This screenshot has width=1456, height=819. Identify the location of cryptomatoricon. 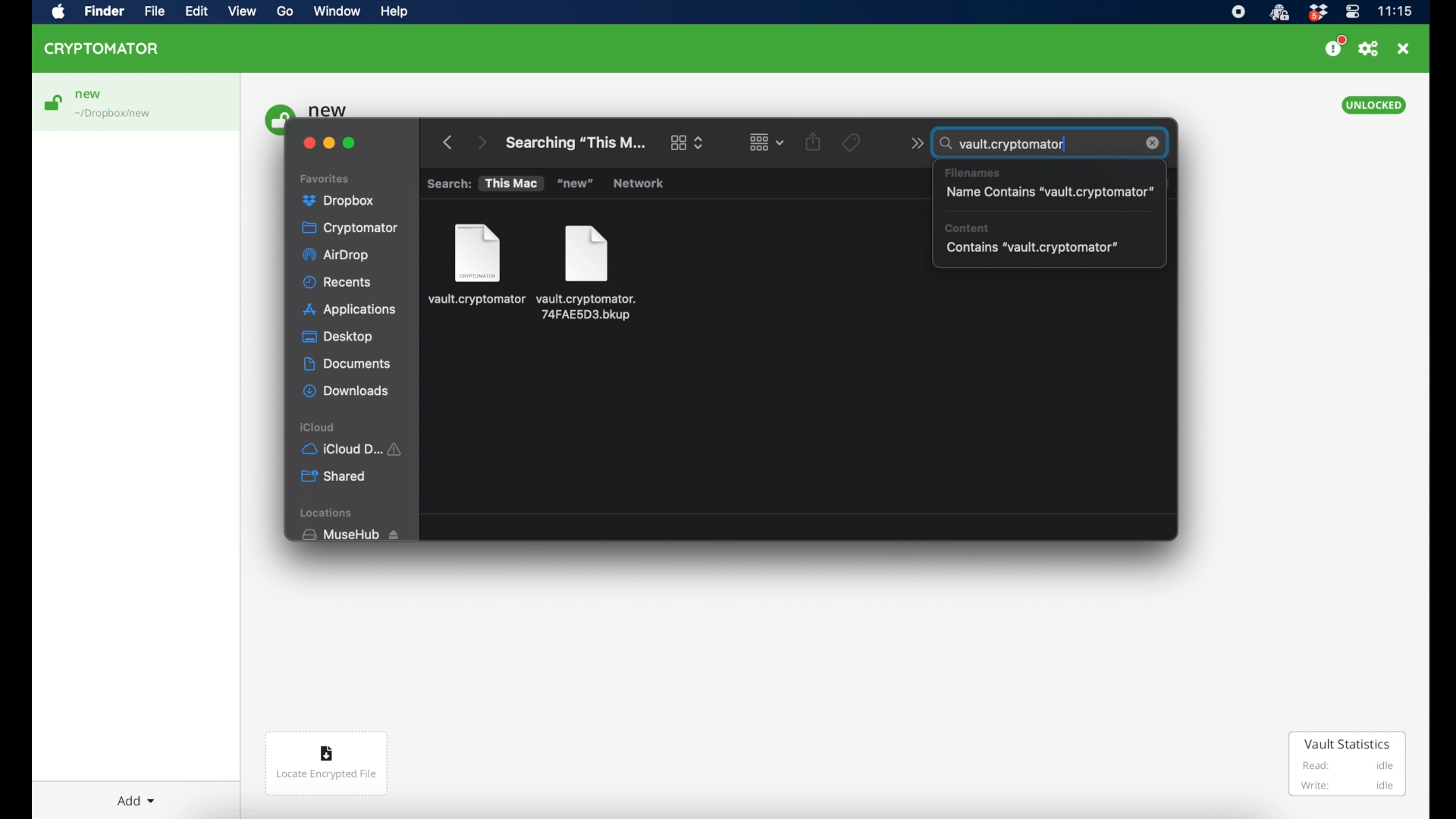
(1279, 13).